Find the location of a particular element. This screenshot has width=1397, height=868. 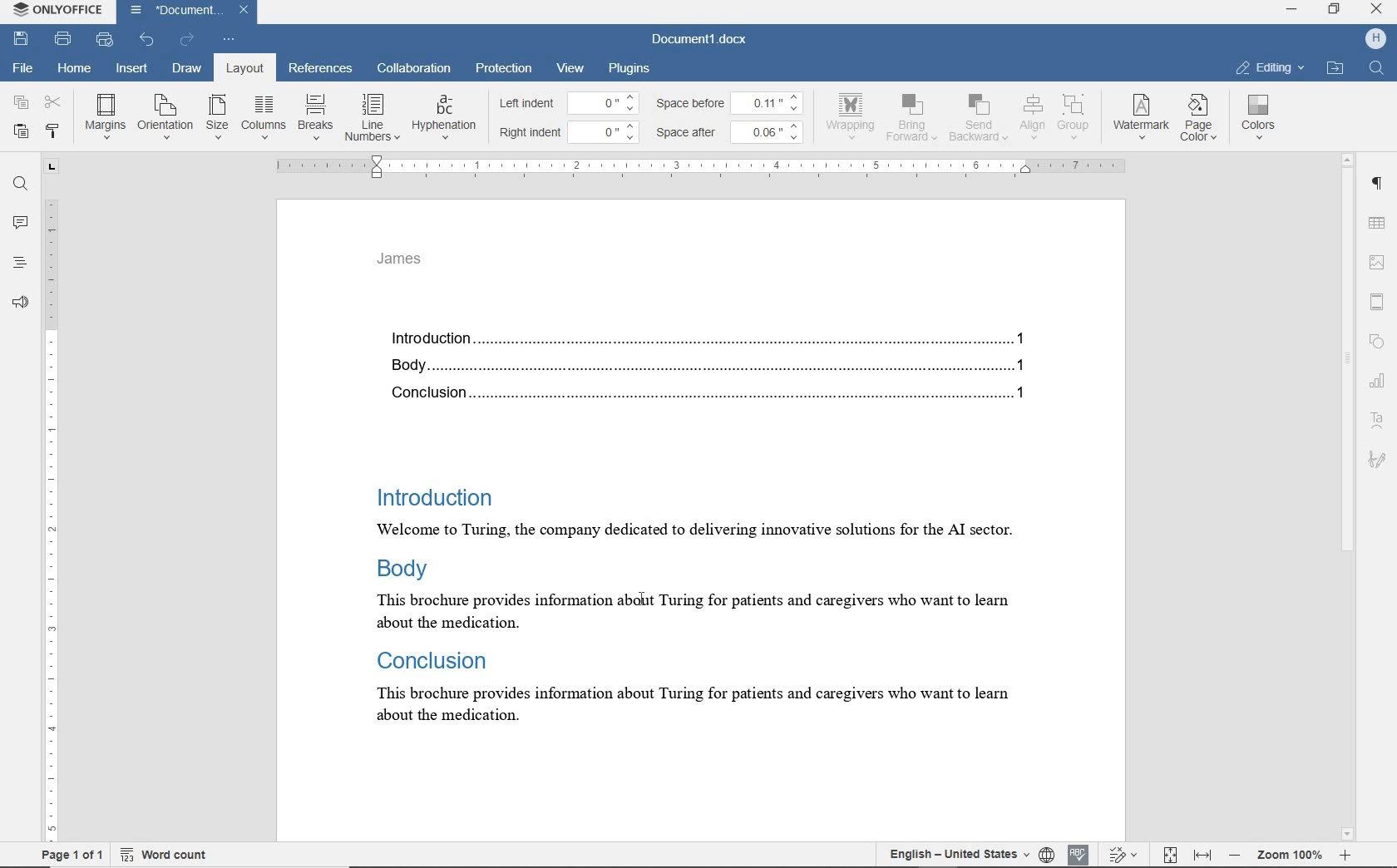

redo is located at coordinates (187, 40).